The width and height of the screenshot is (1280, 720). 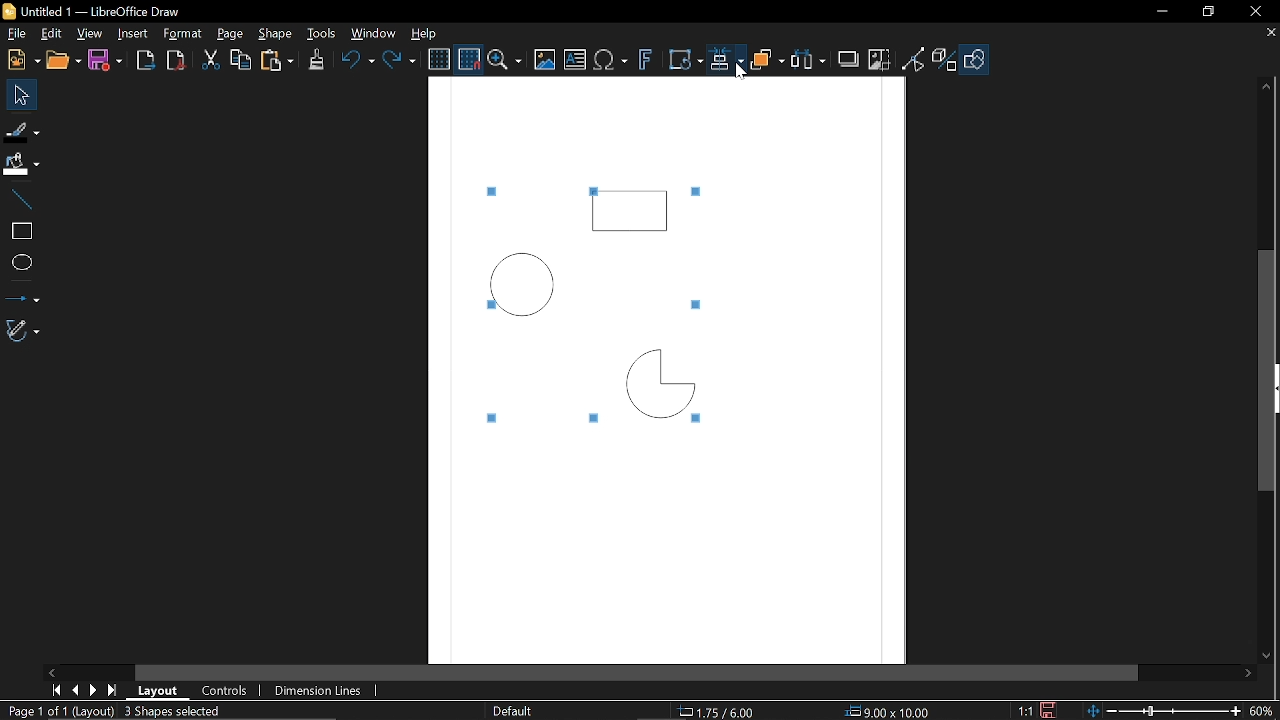 I want to click on Toggle point of view, so click(x=913, y=59).